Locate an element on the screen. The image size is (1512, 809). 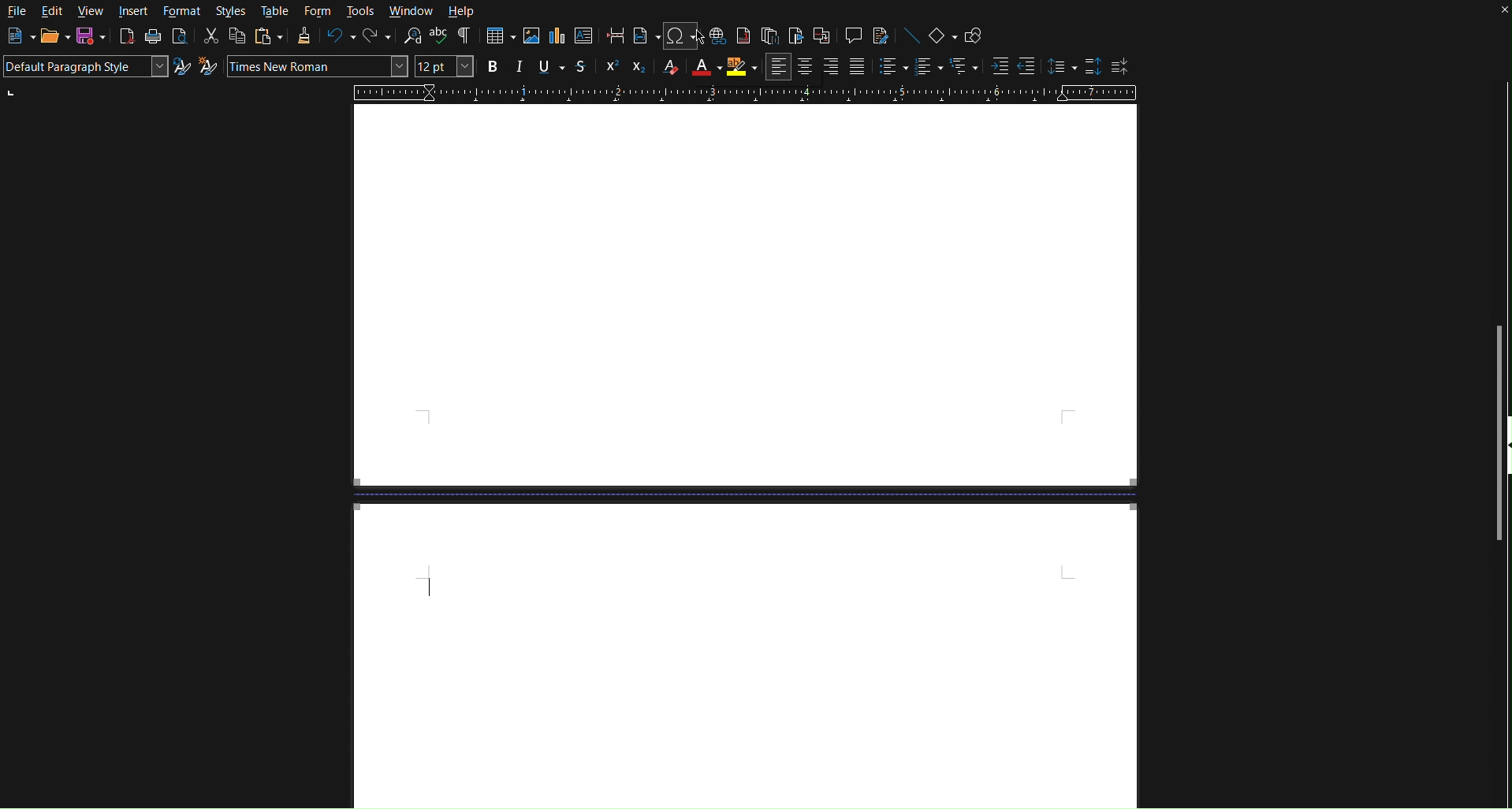
Insert Image is located at coordinates (531, 38).